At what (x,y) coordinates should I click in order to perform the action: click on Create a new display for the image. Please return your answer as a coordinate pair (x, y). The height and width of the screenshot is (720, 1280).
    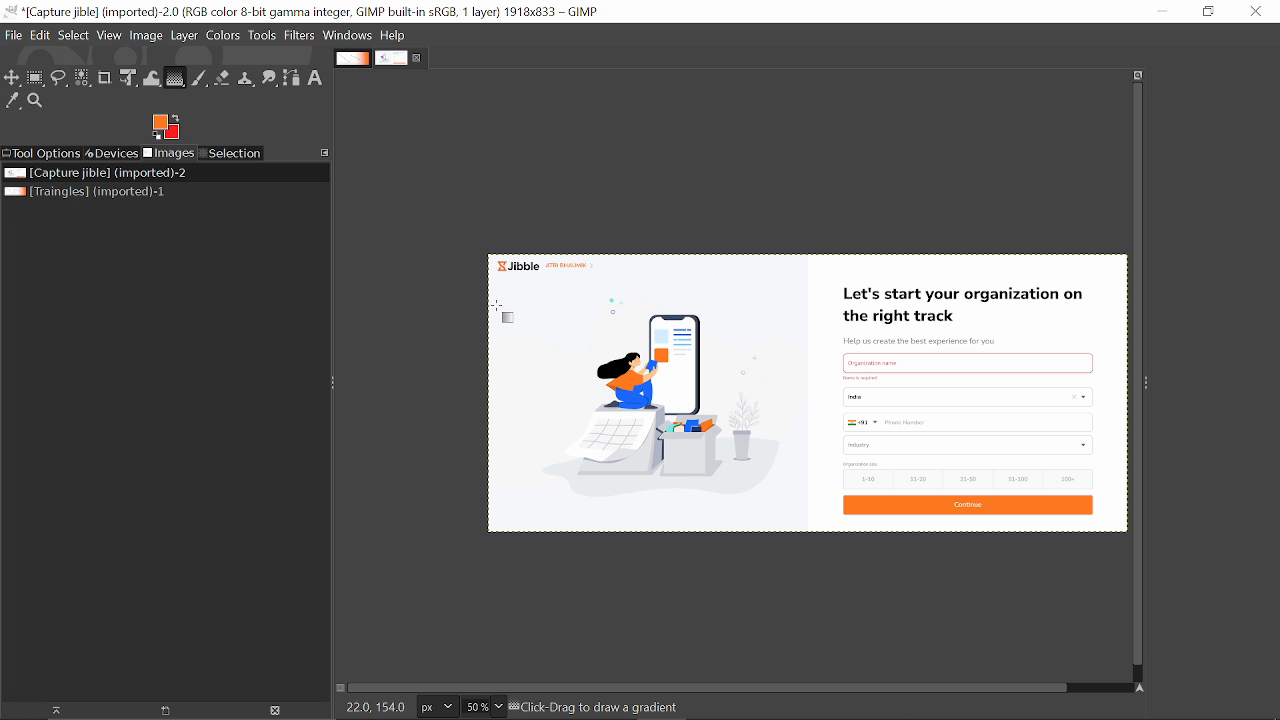
    Looking at the image, I should click on (159, 711).